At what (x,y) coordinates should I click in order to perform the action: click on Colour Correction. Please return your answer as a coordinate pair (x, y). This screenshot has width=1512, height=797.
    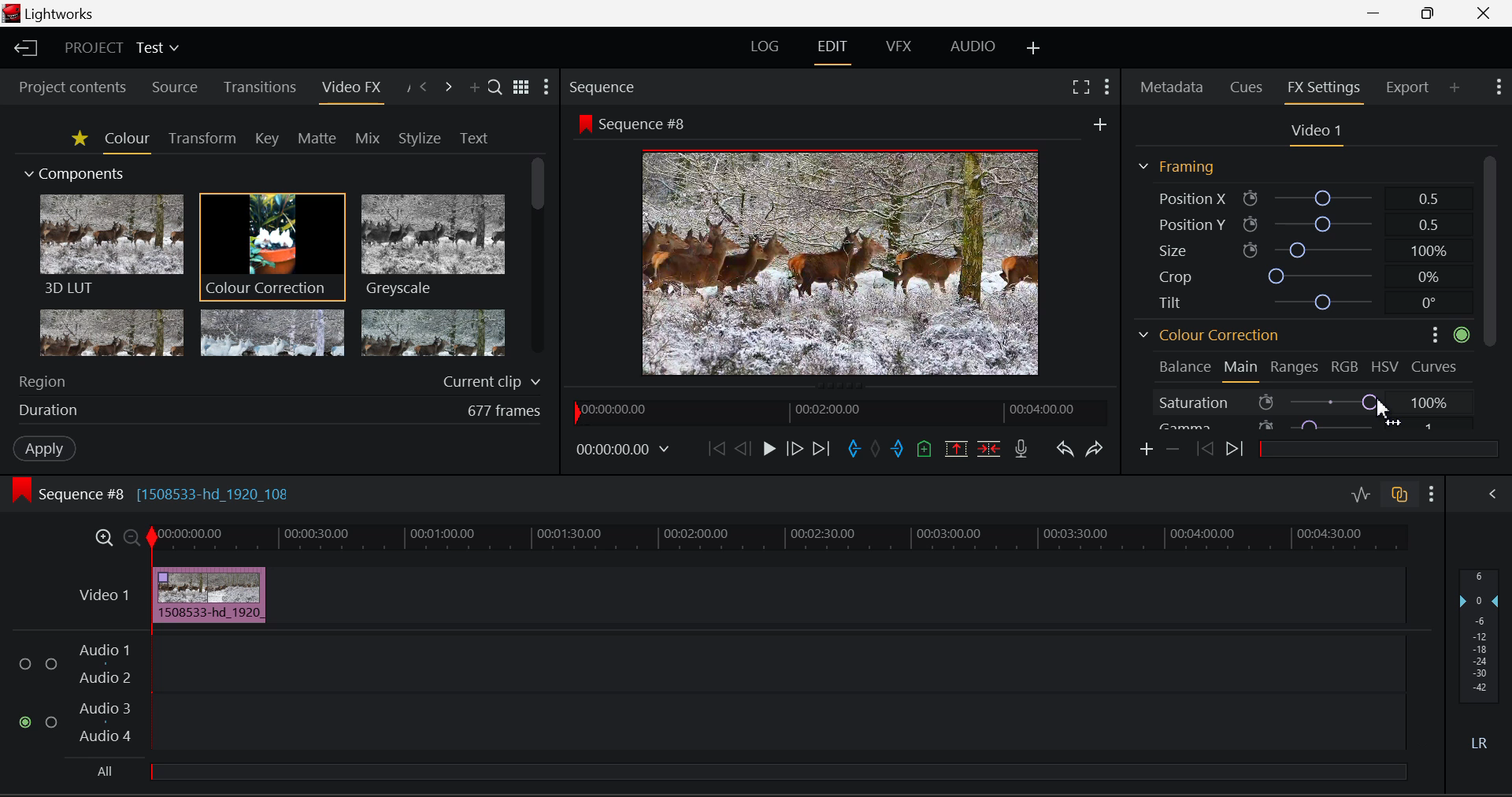
    Looking at the image, I should click on (1210, 334).